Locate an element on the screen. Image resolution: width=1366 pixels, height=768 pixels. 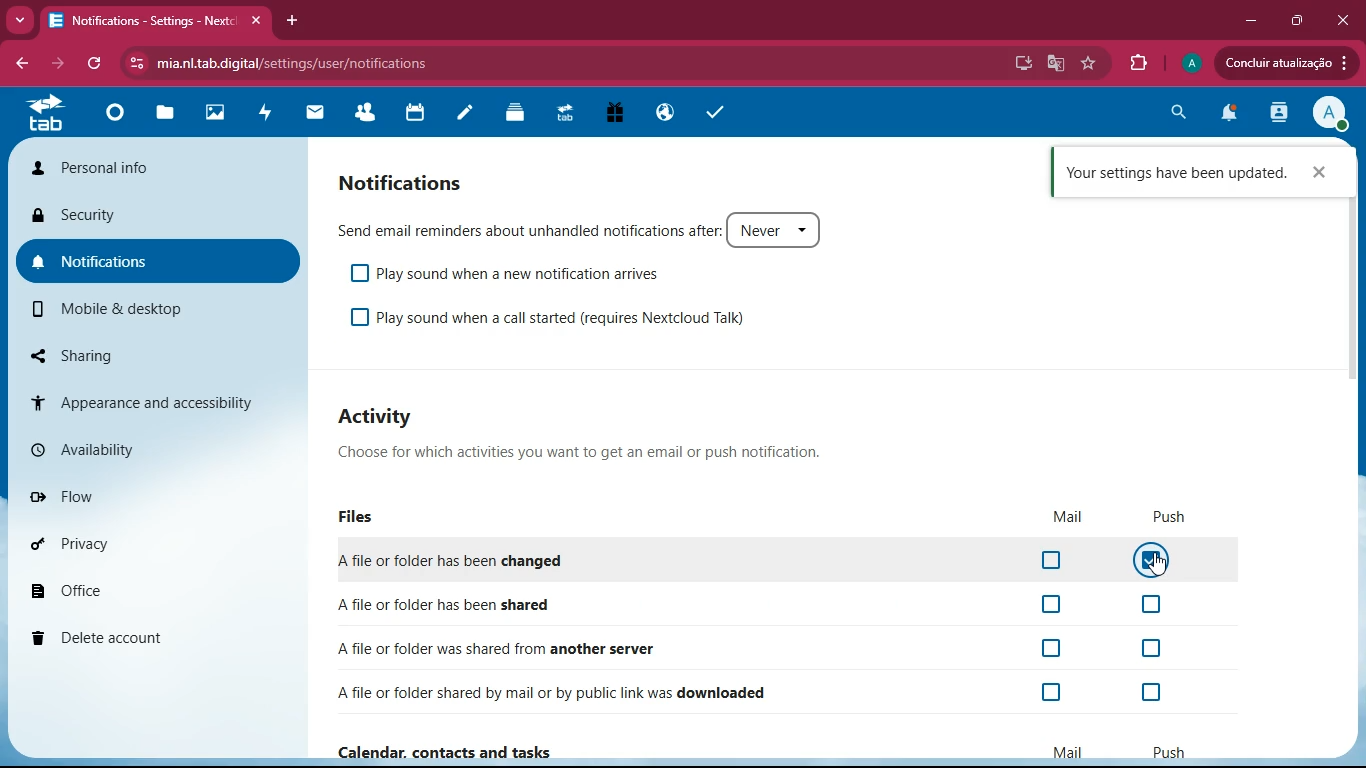
mail is located at coordinates (1068, 517).